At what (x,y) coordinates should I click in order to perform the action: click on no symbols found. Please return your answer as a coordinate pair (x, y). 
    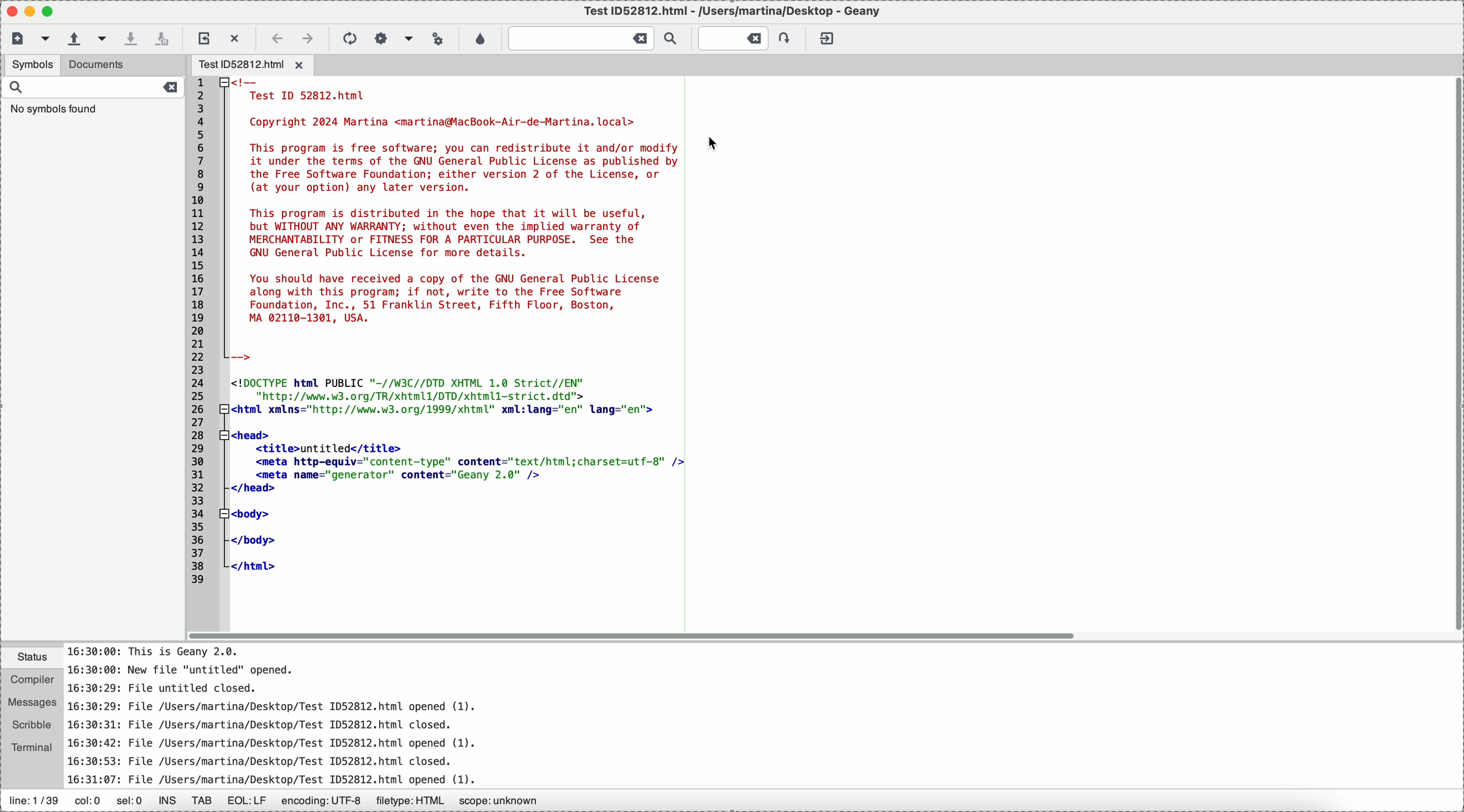
    Looking at the image, I should click on (54, 111).